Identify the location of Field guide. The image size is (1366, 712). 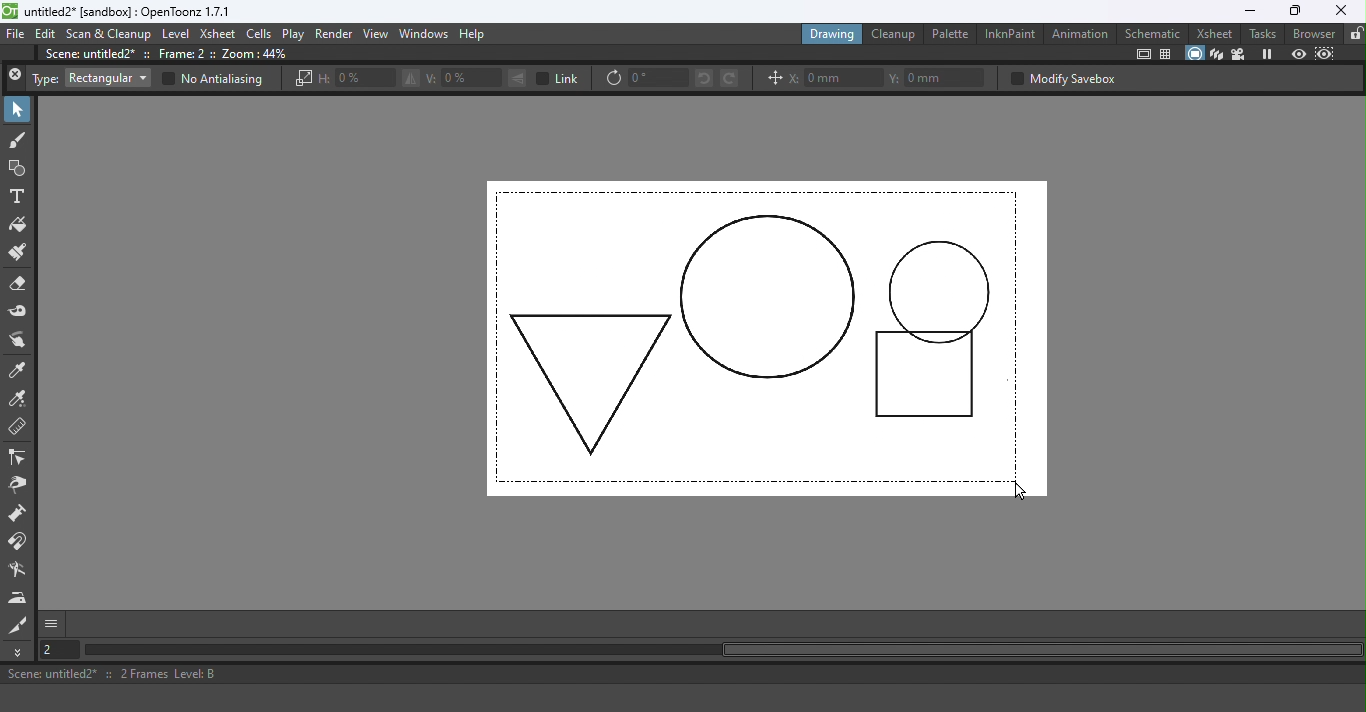
(1168, 55).